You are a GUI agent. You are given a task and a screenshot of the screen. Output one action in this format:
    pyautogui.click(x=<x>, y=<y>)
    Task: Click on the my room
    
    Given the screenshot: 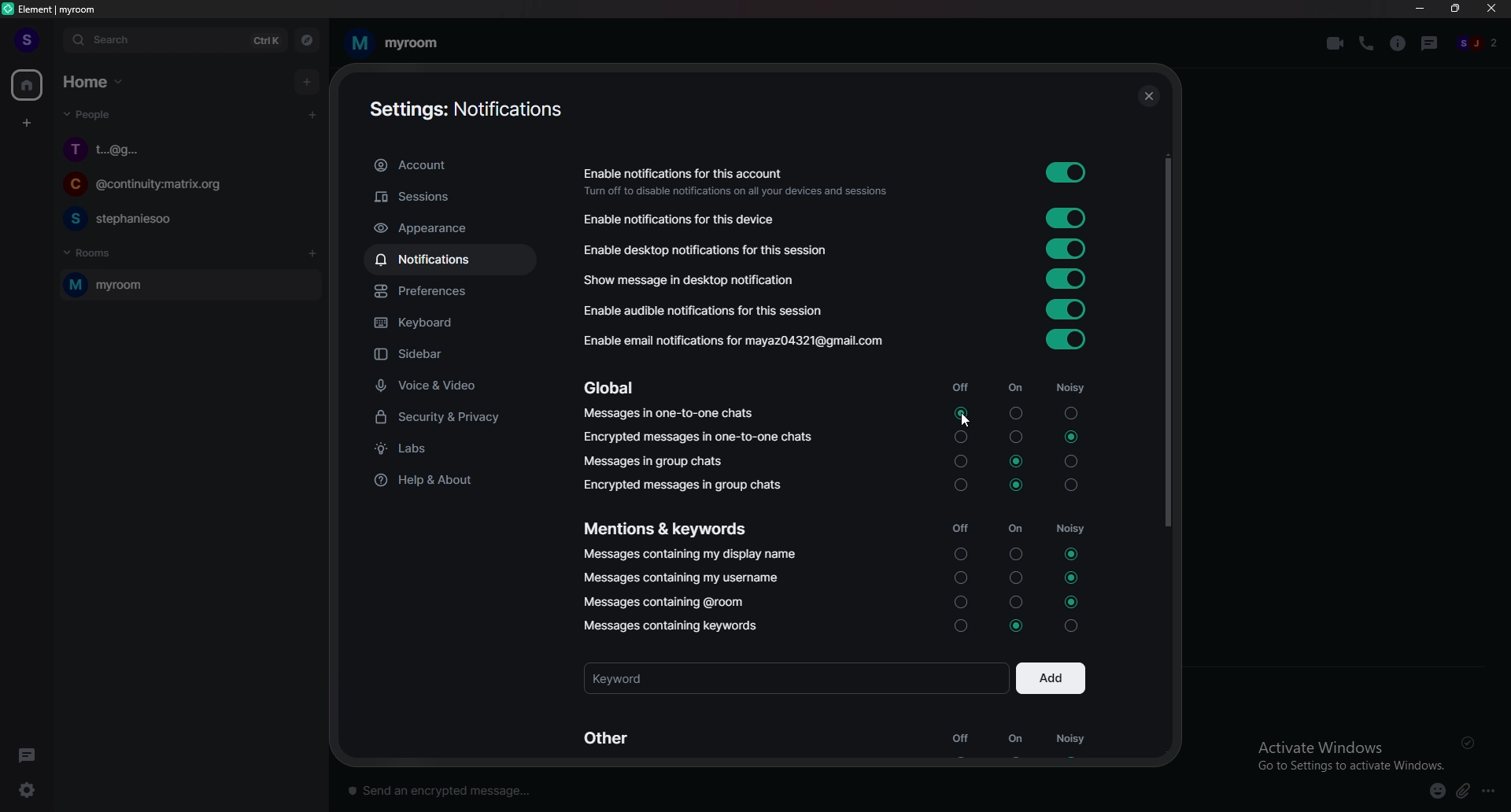 What is the action you would take?
    pyautogui.click(x=397, y=41)
    